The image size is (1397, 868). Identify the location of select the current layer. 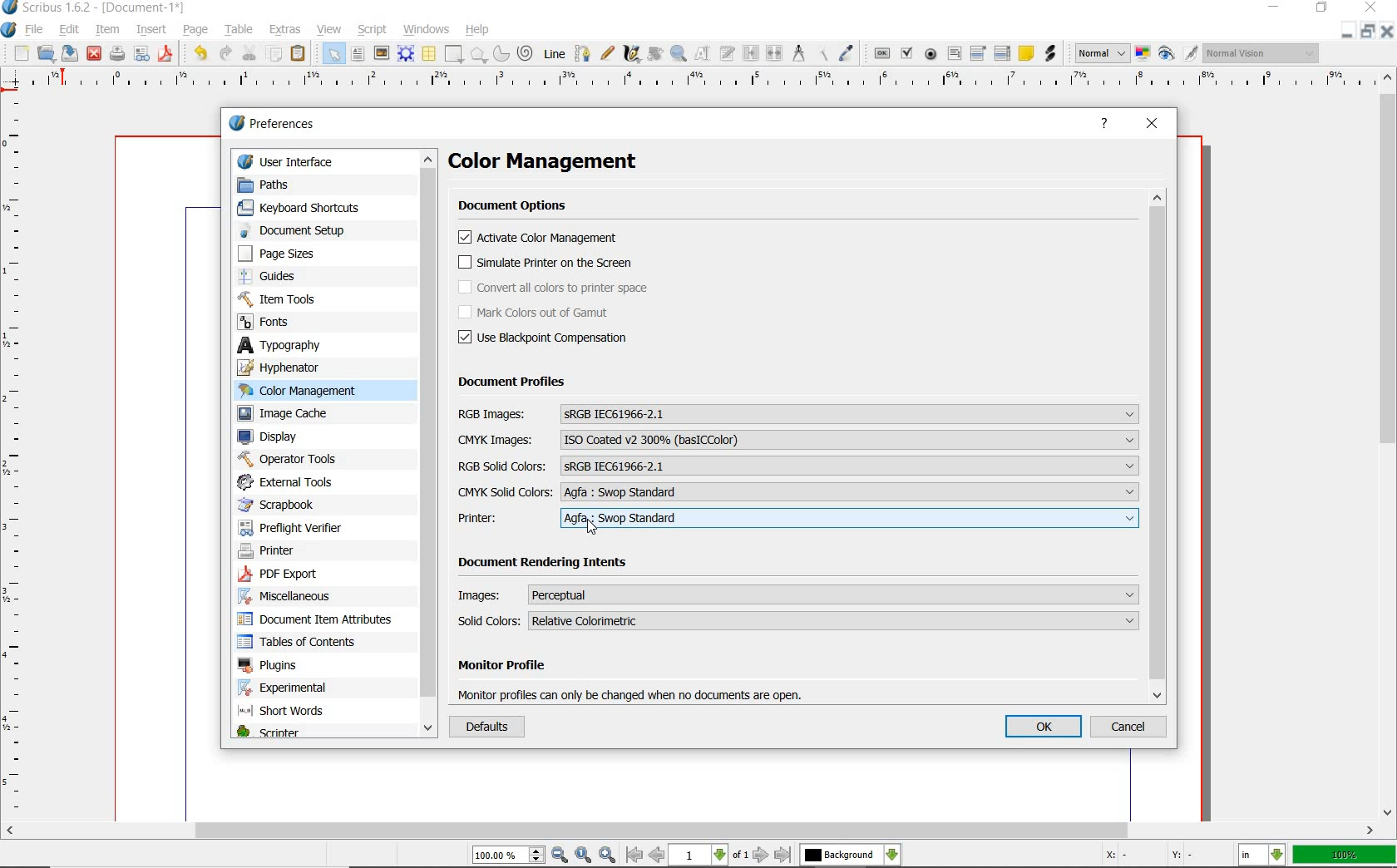
(850, 855).